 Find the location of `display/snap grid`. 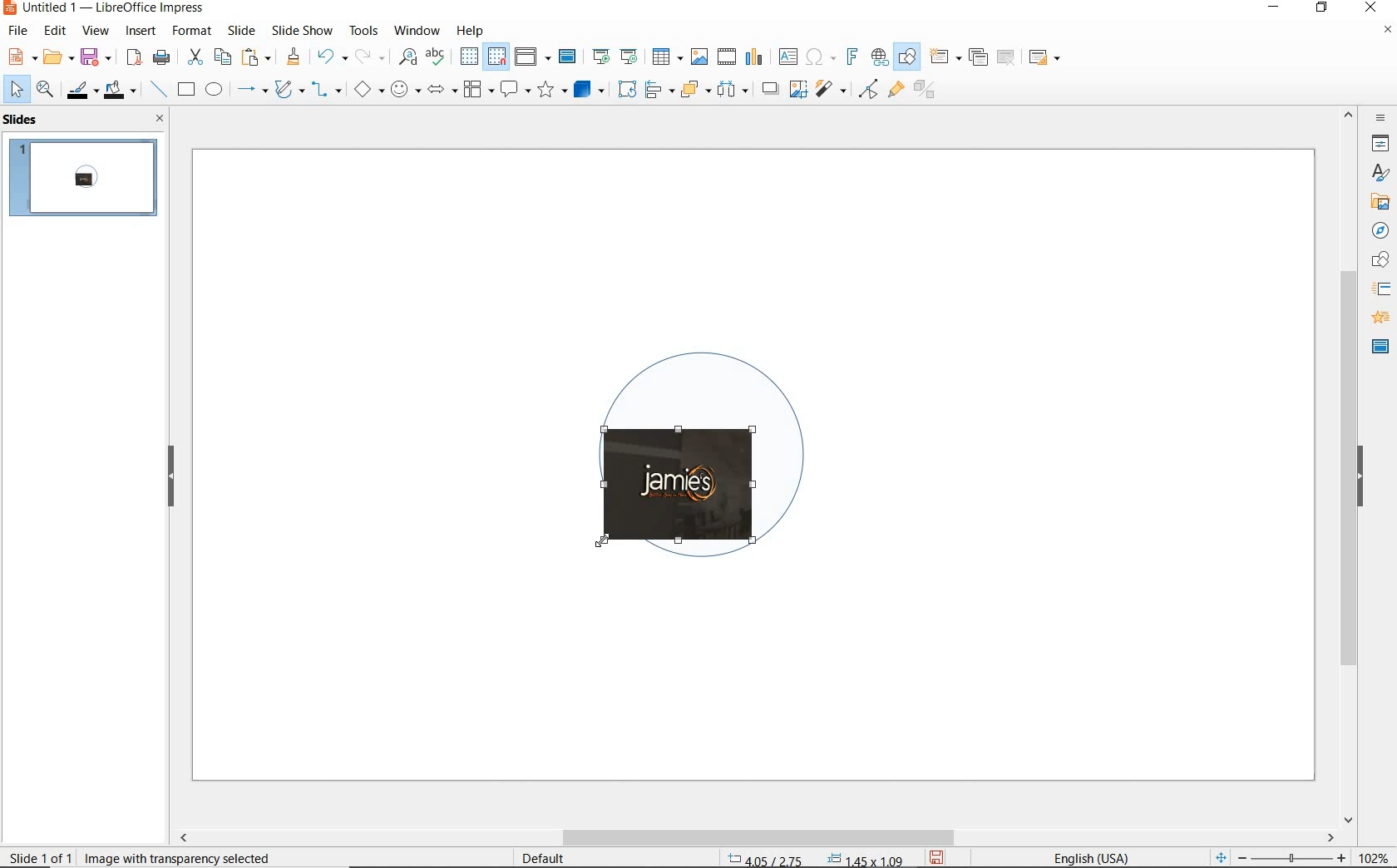

display/snap grid is located at coordinates (481, 57).